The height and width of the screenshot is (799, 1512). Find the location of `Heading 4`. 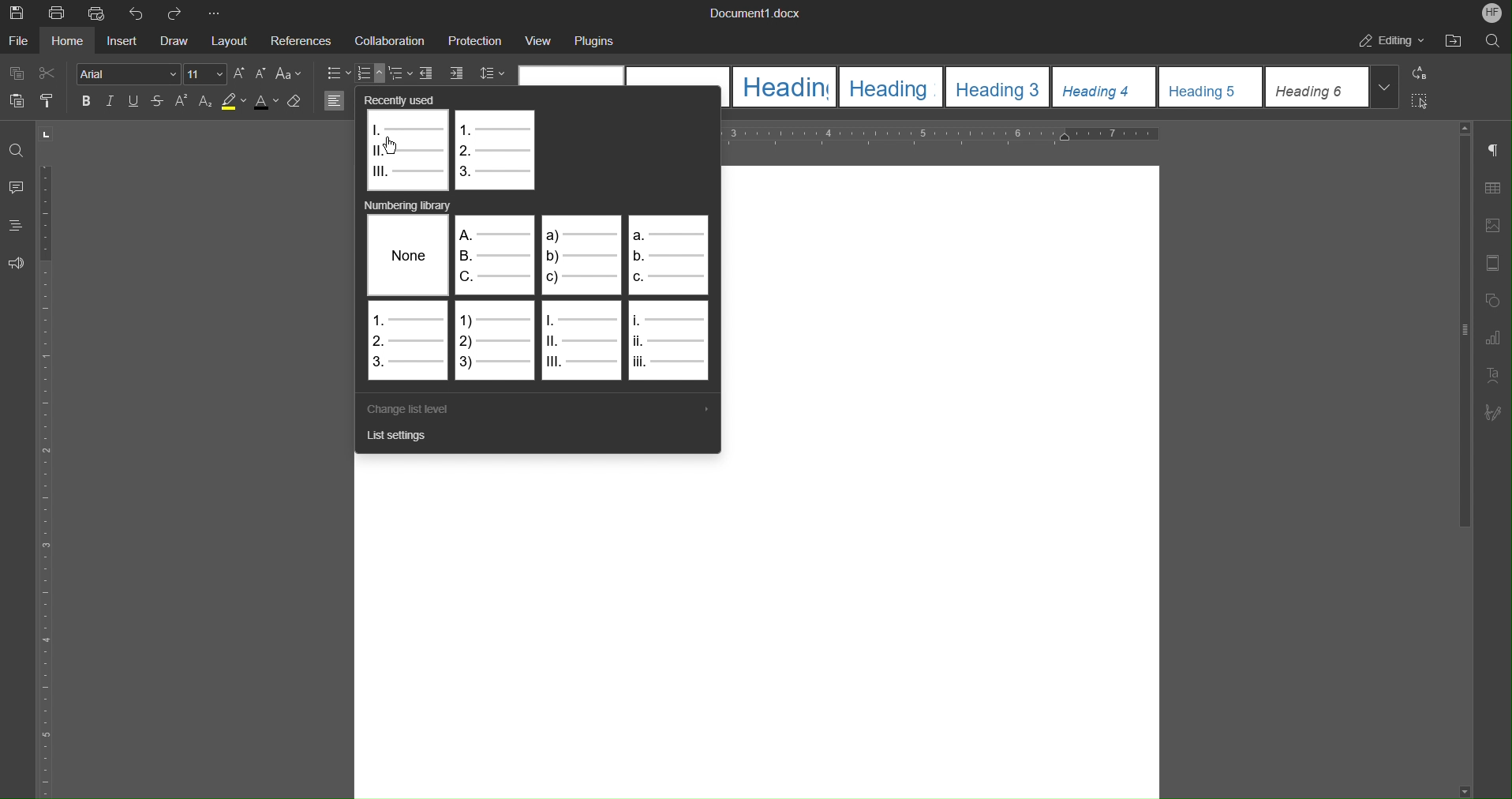

Heading 4 is located at coordinates (1105, 87).